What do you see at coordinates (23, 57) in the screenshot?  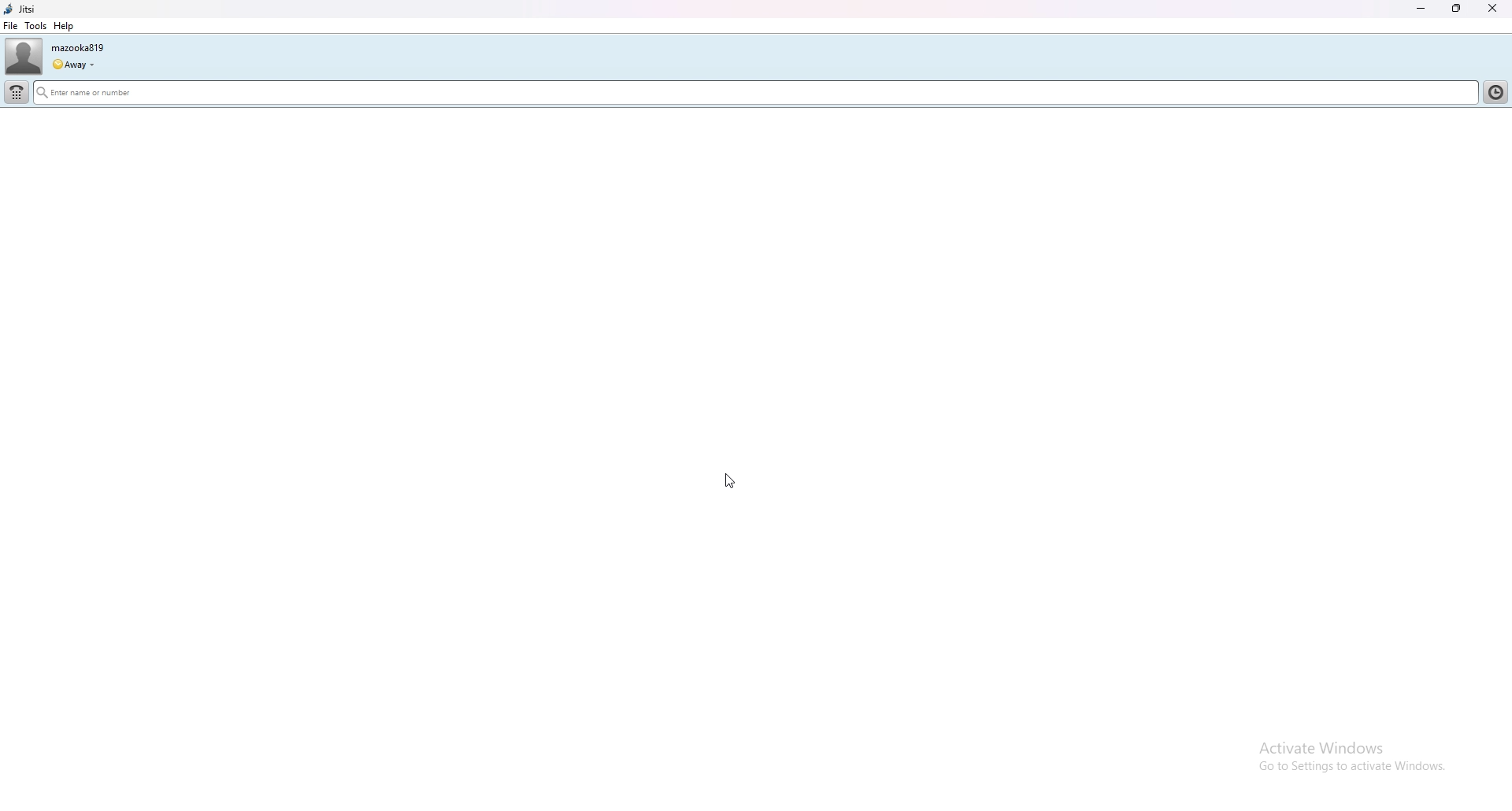 I see `user photo` at bounding box center [23, 57].